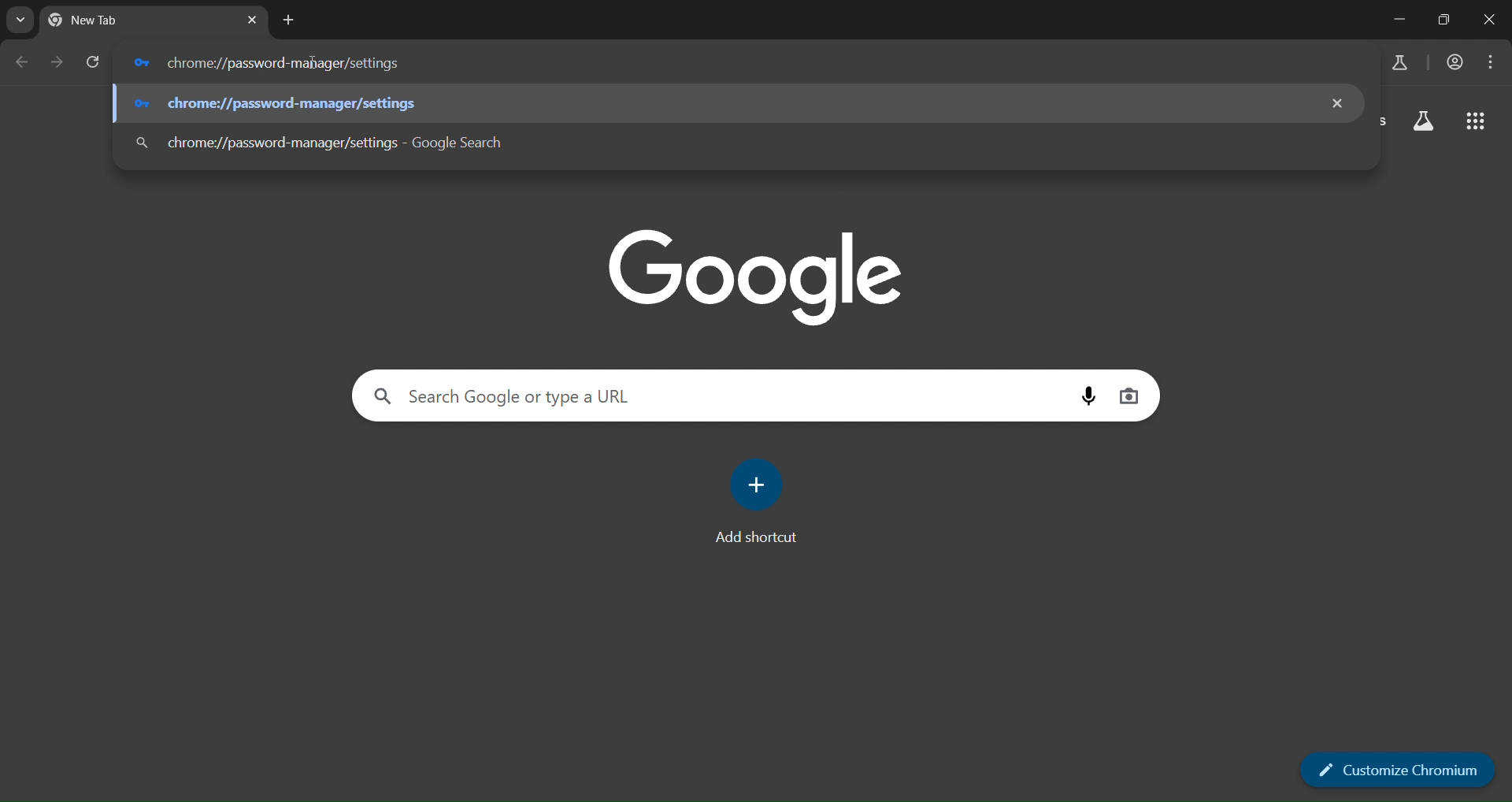 The image size is (1512, 802). What do you see at coordinates (1491, 22) in the screenshot?
I see `close` at bounding box center [1491, 22].